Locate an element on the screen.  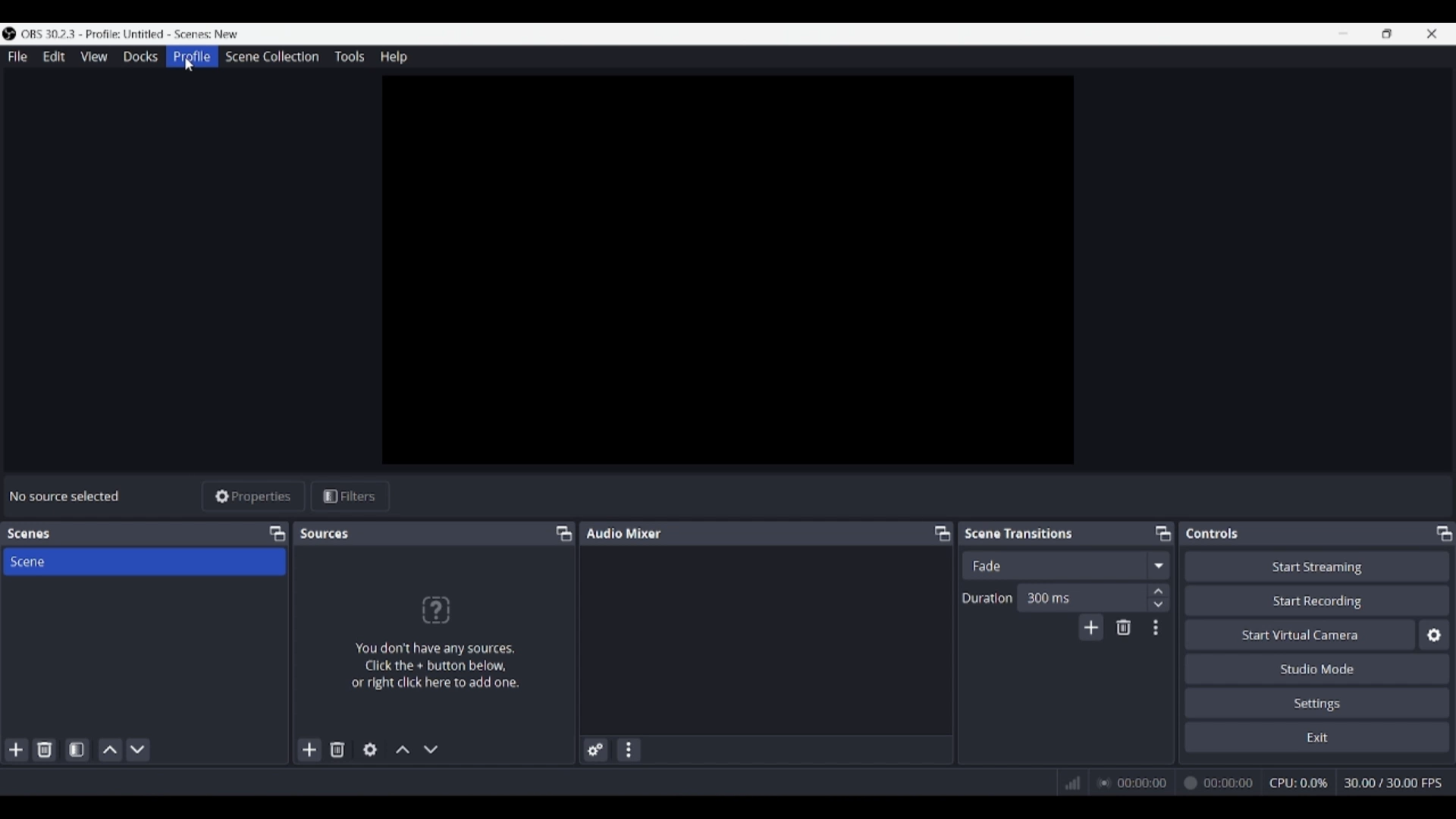
Float controls panel is located at coordinates (1444, 533).